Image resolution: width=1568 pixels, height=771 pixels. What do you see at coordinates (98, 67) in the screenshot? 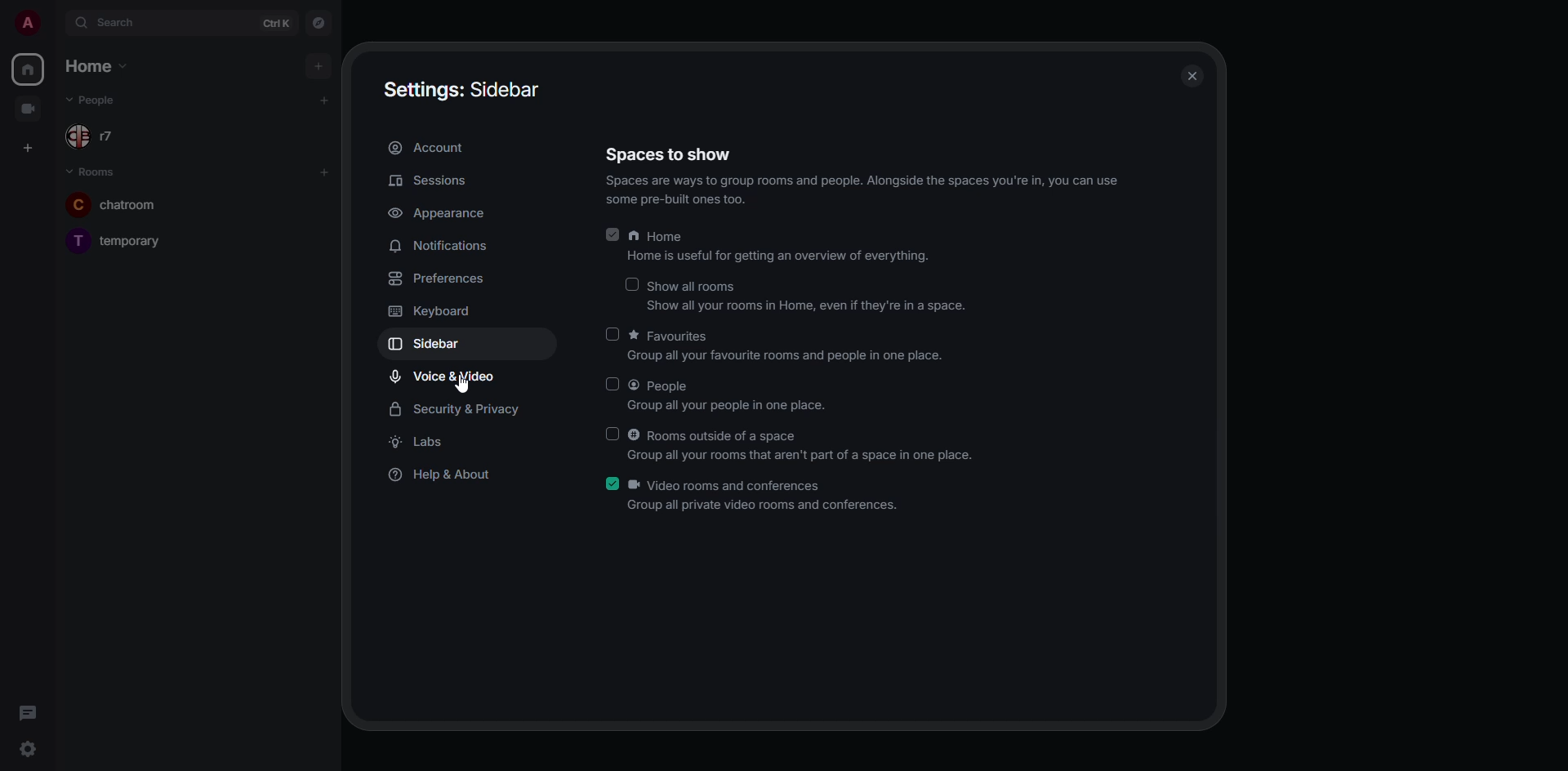
I see `home` at bounding box center [98, 67].